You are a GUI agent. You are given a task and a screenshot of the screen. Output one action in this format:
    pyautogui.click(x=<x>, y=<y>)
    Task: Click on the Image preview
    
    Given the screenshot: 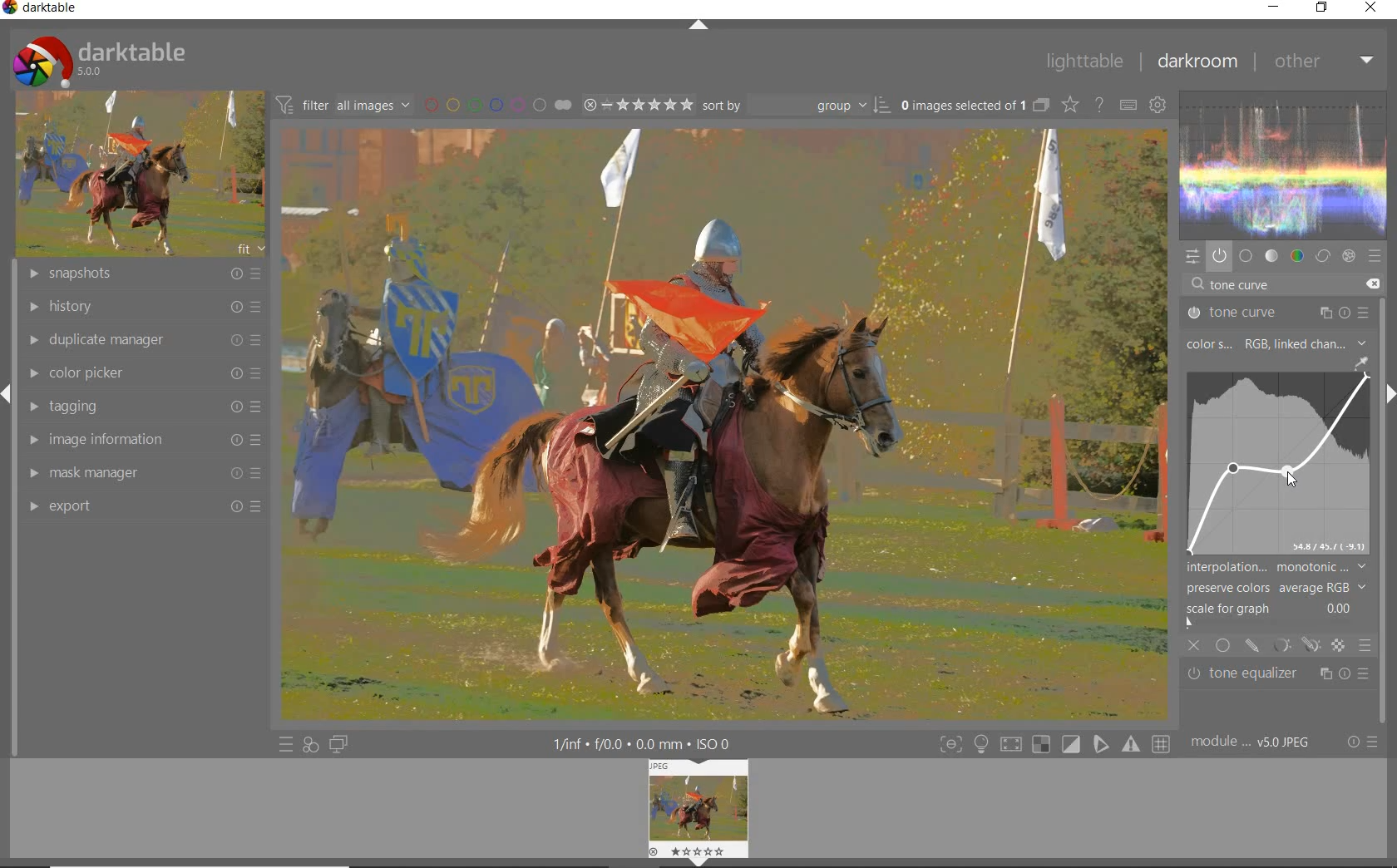 What is the action you would take?
    pyautogui.click(x=701, y=810)
    